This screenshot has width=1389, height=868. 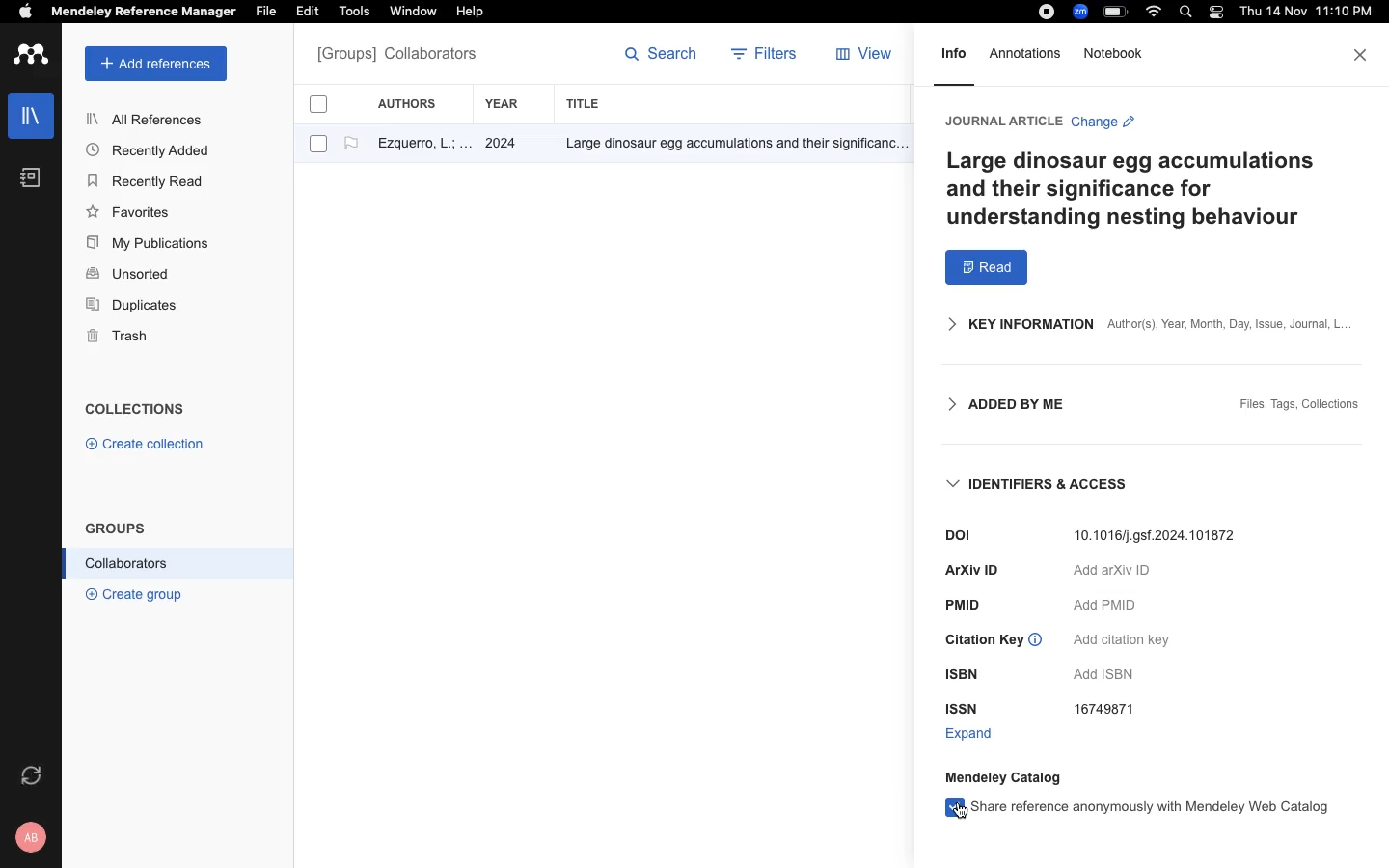 What do you see at coordinates (964, 708) in the screenshot?
I see `ISSN` at bounding box center [964, 708].